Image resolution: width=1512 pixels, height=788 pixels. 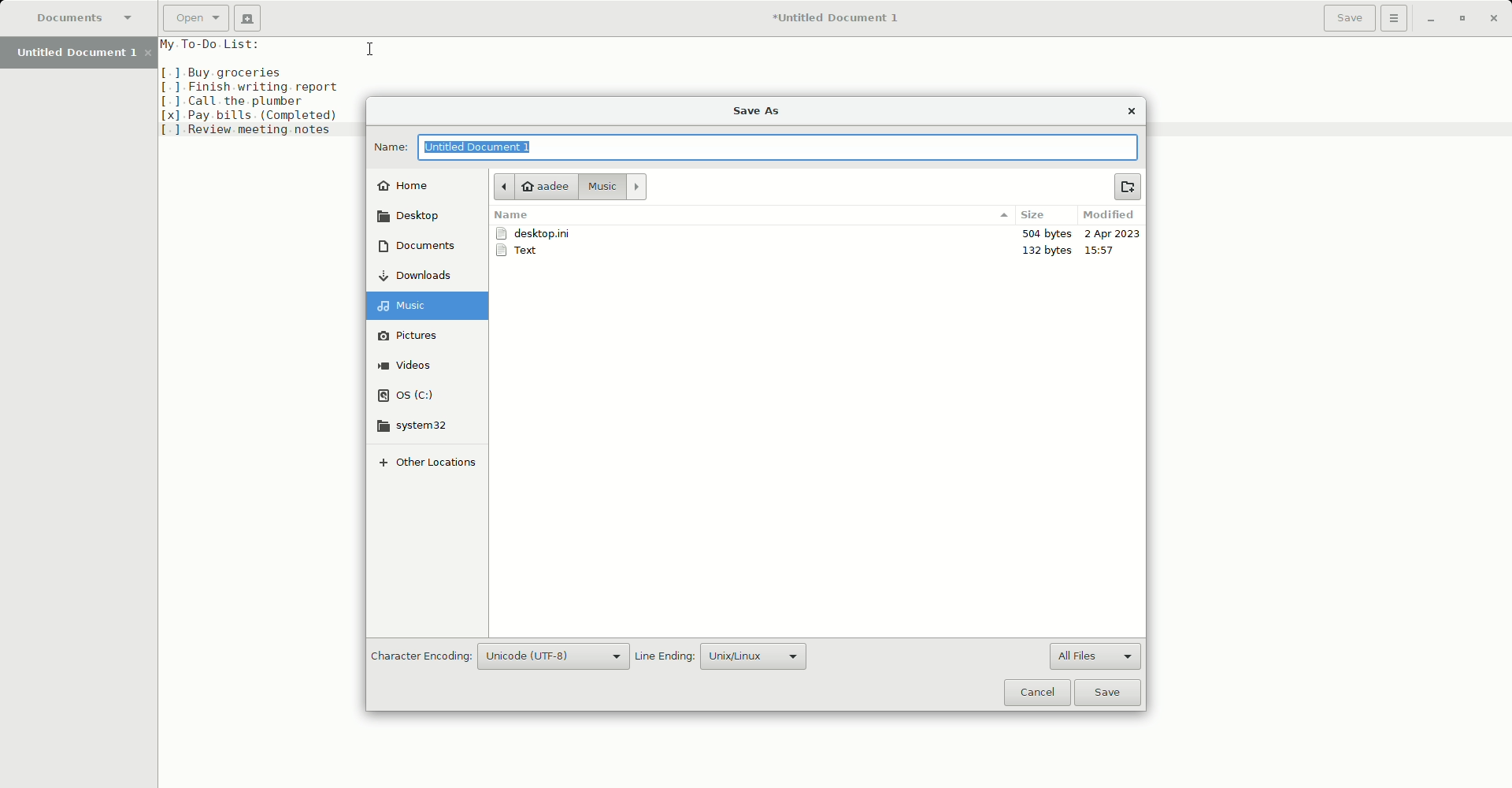 I want to click on Music, so click(x=613, y=187).